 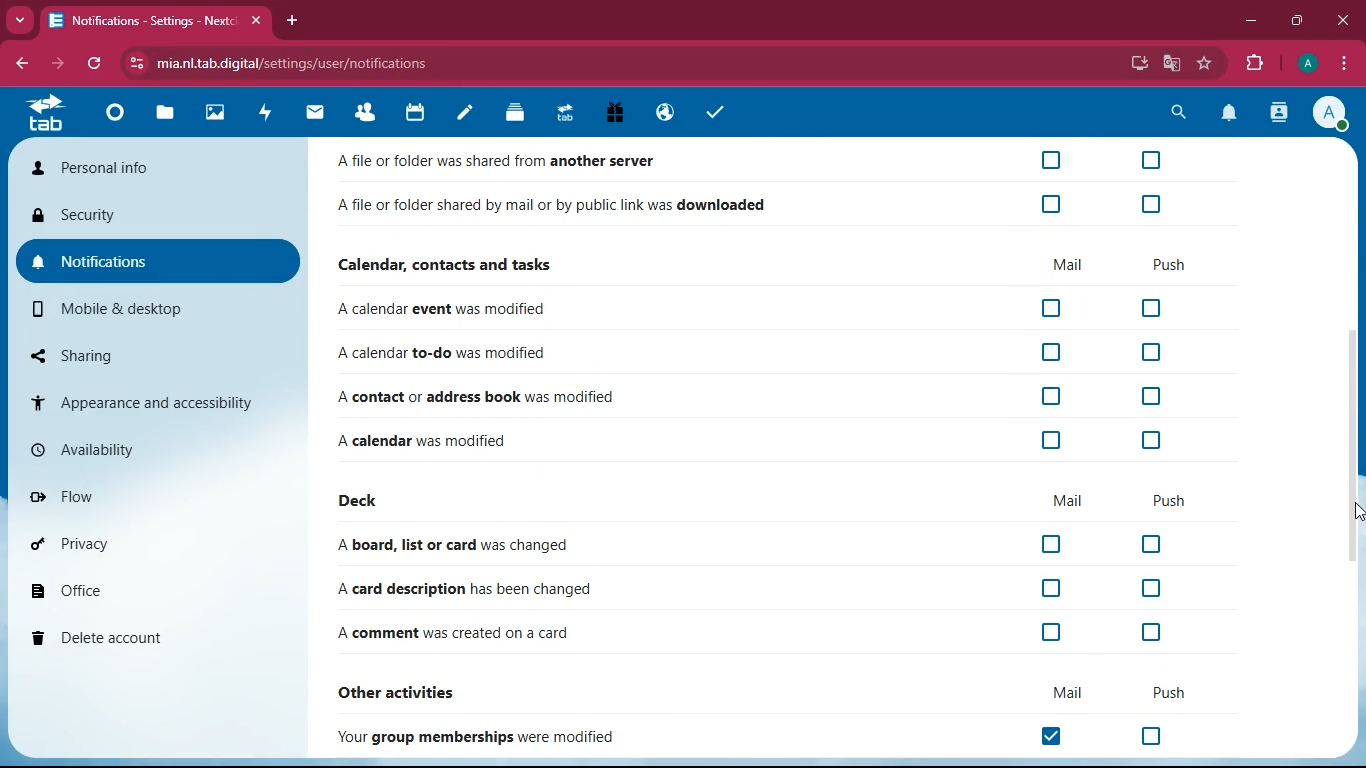 What do you see at coordinates (138, 21) in the screenshot?
I see `Notifications - Nextcloud` at bounding box center [138, 21].